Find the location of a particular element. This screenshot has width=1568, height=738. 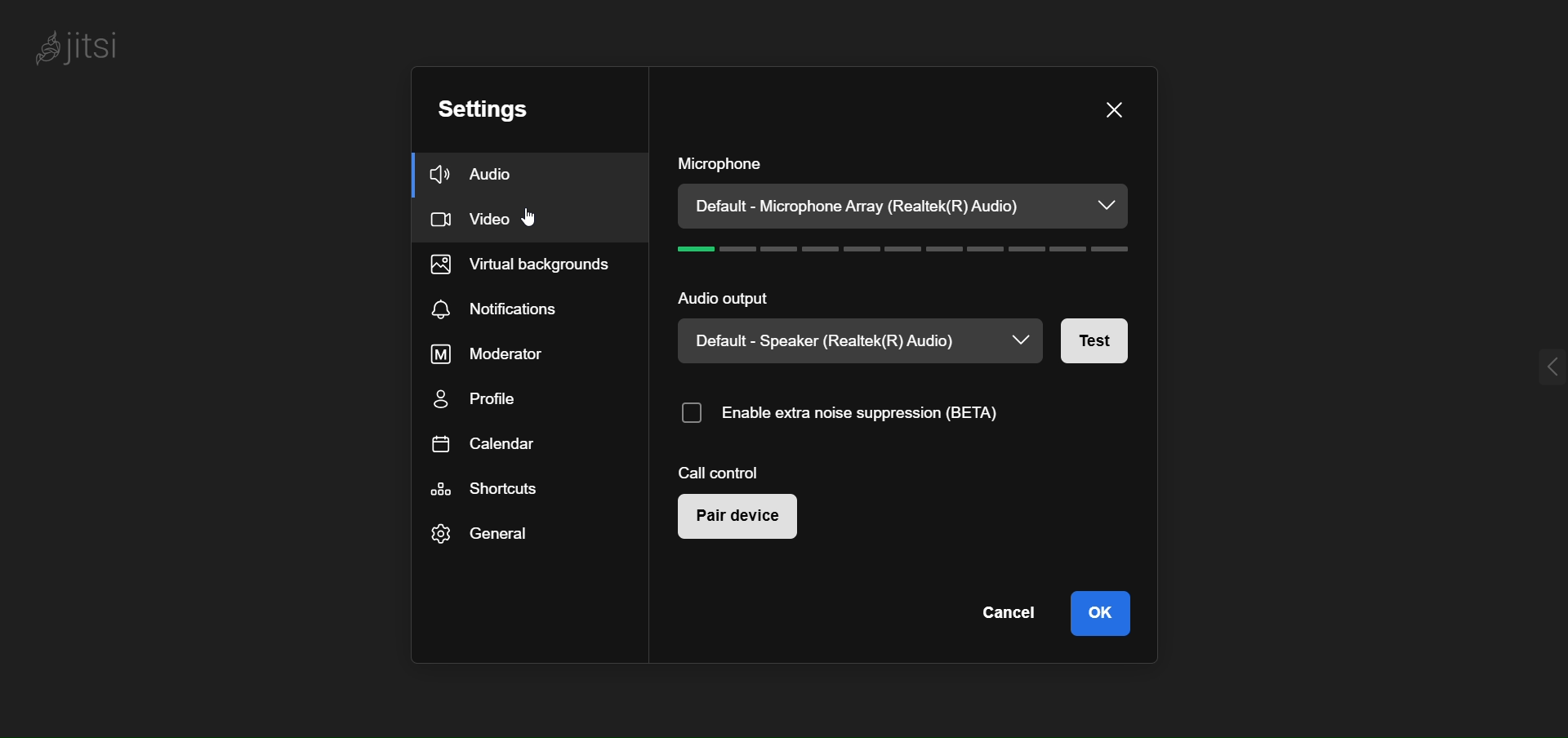

test is located at coordinates (1098, 343).